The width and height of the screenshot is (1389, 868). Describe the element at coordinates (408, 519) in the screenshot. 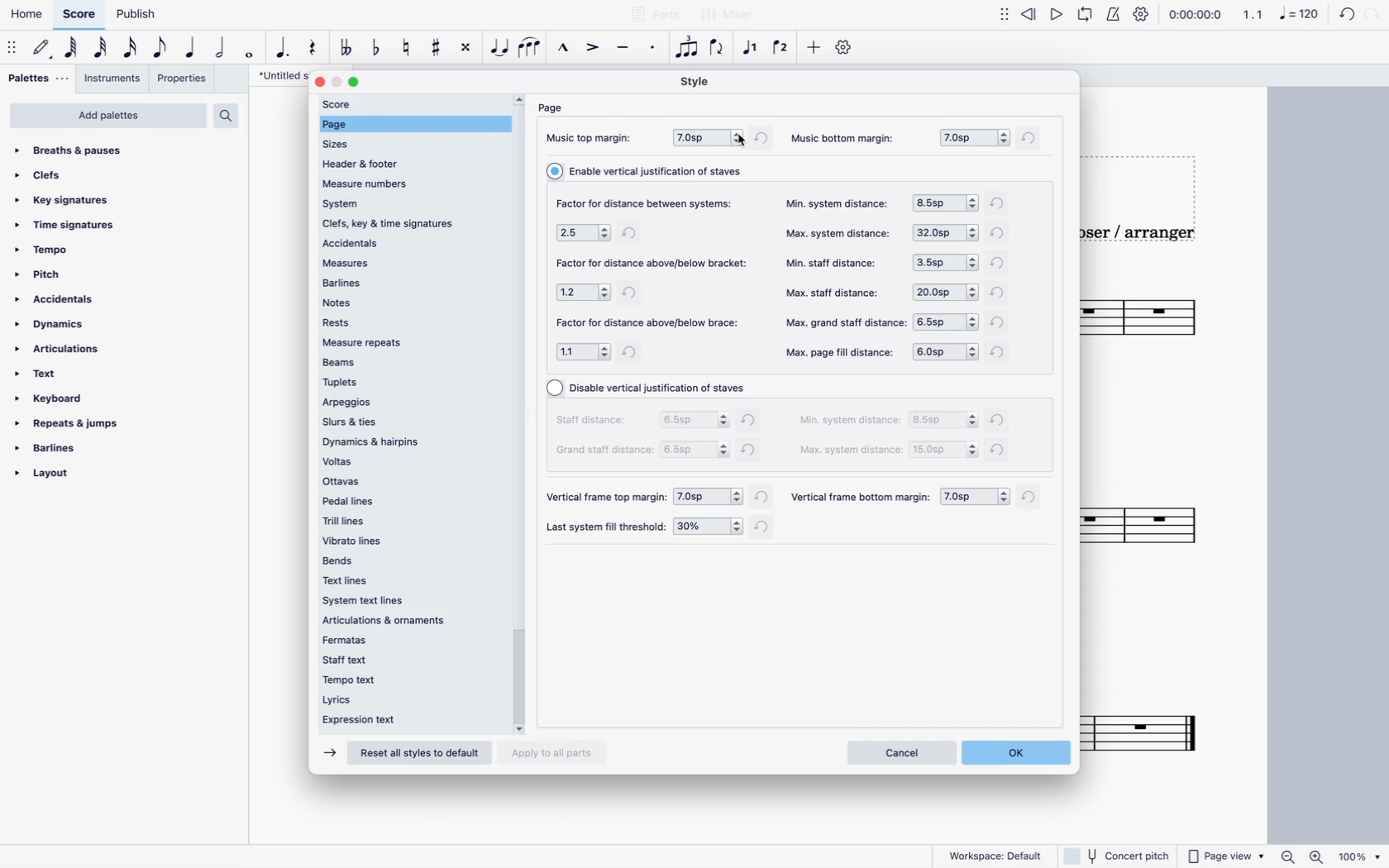

I see `trill lines` at that location.